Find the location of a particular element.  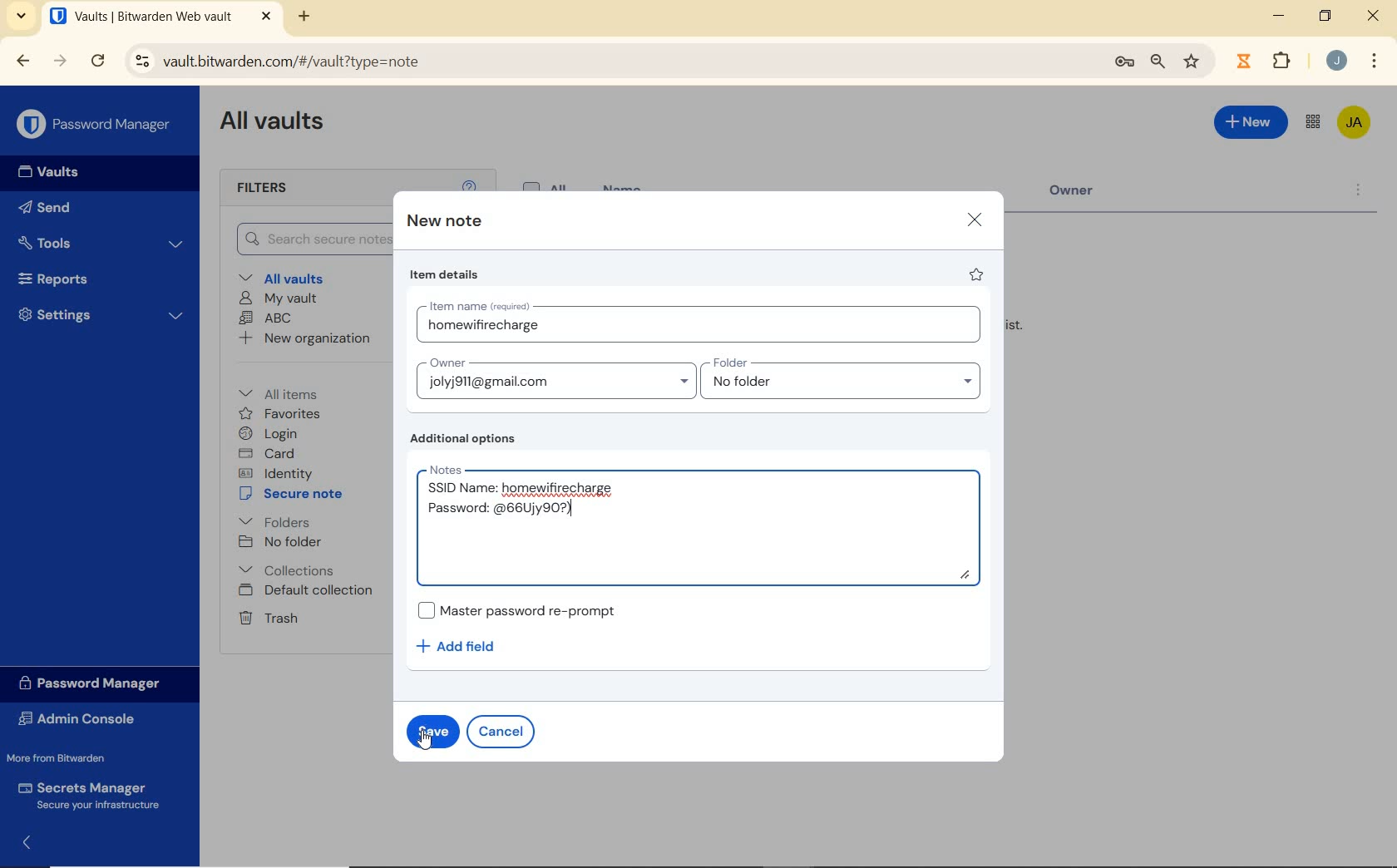

save is located at coordinates (432, 730).